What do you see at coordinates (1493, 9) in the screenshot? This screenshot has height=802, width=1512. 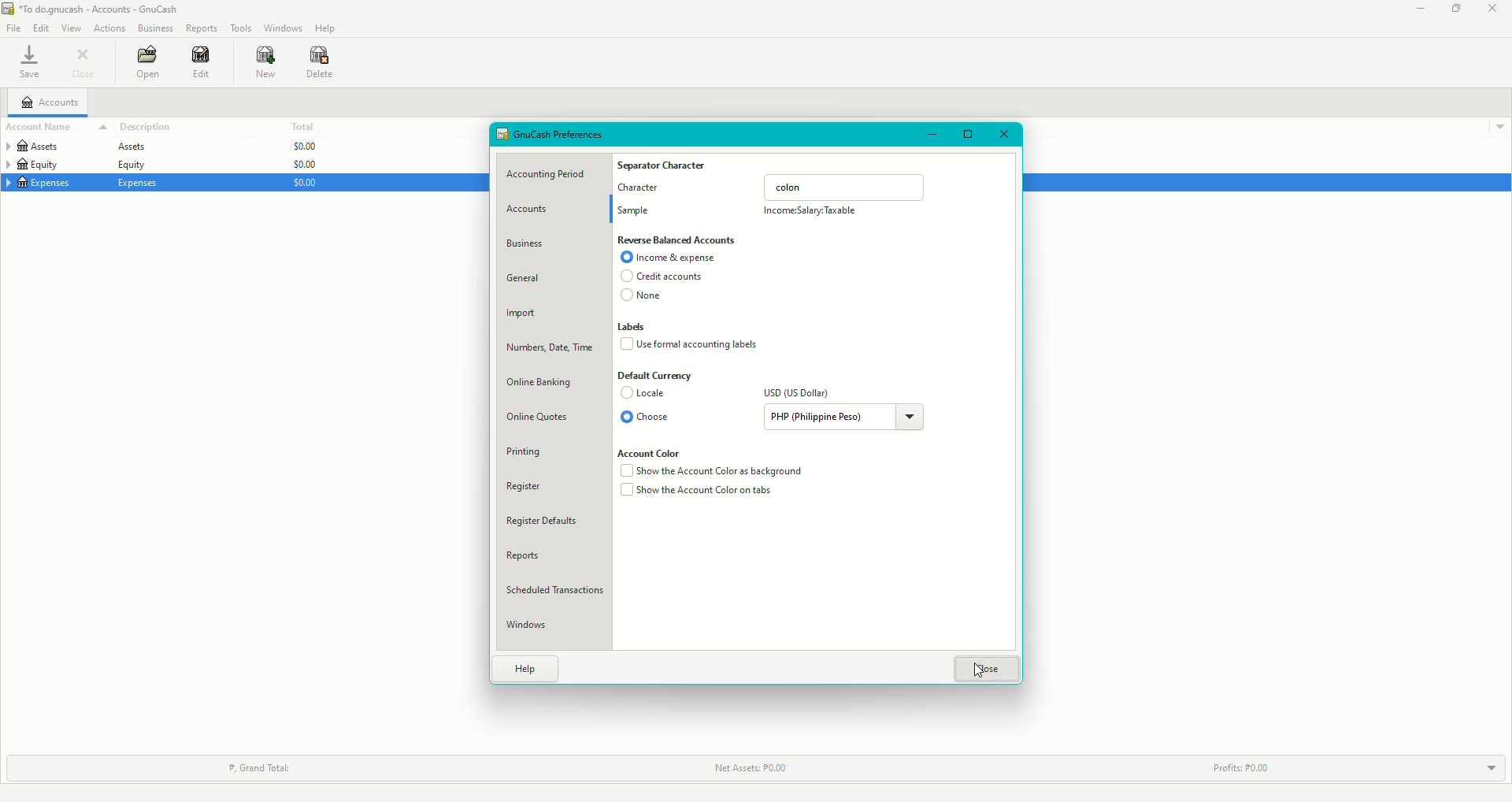 I see `Close` at bounding box center [1493, 9].